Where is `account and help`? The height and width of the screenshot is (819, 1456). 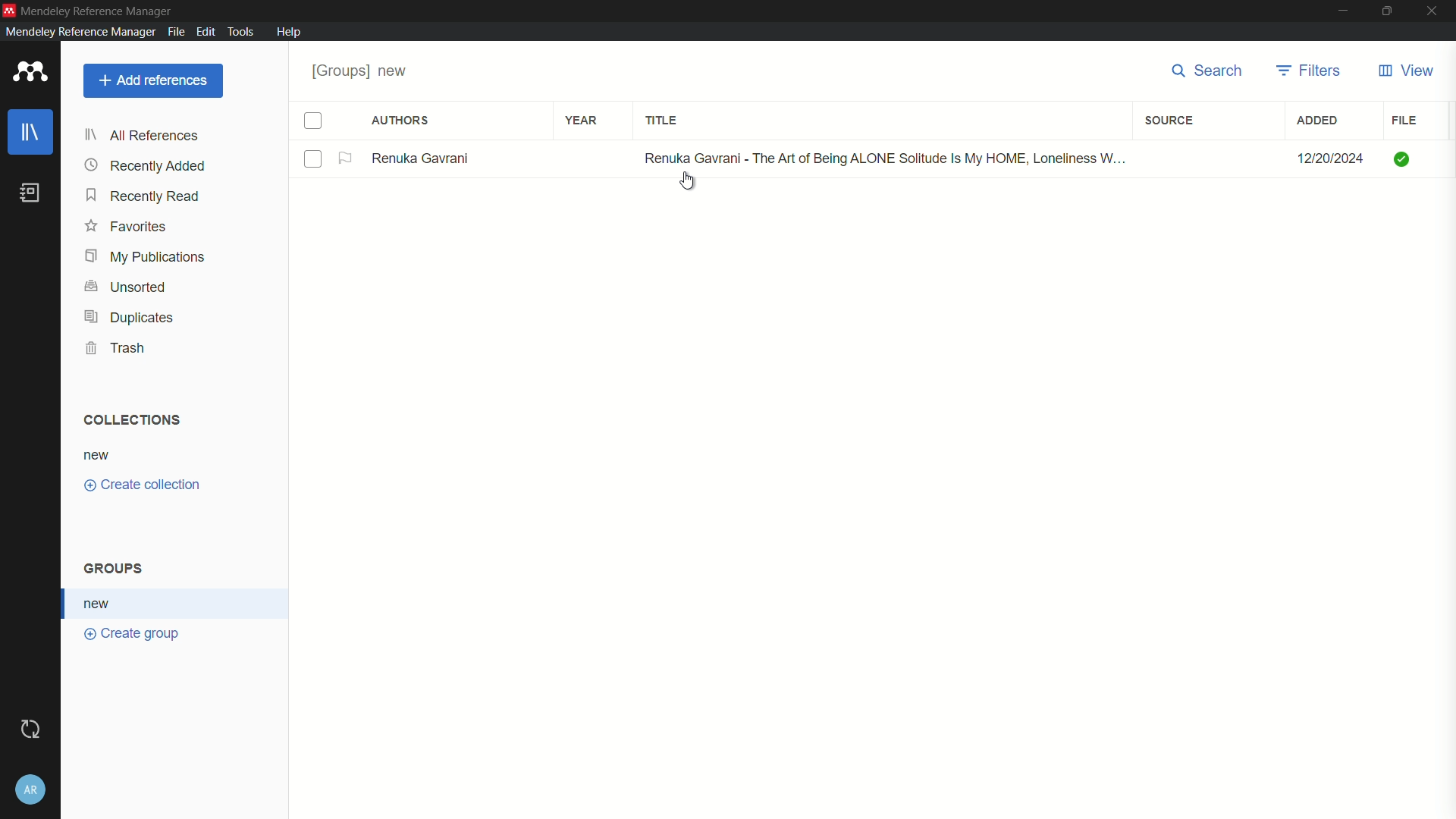 account and help is located at coordinates (32, 789).